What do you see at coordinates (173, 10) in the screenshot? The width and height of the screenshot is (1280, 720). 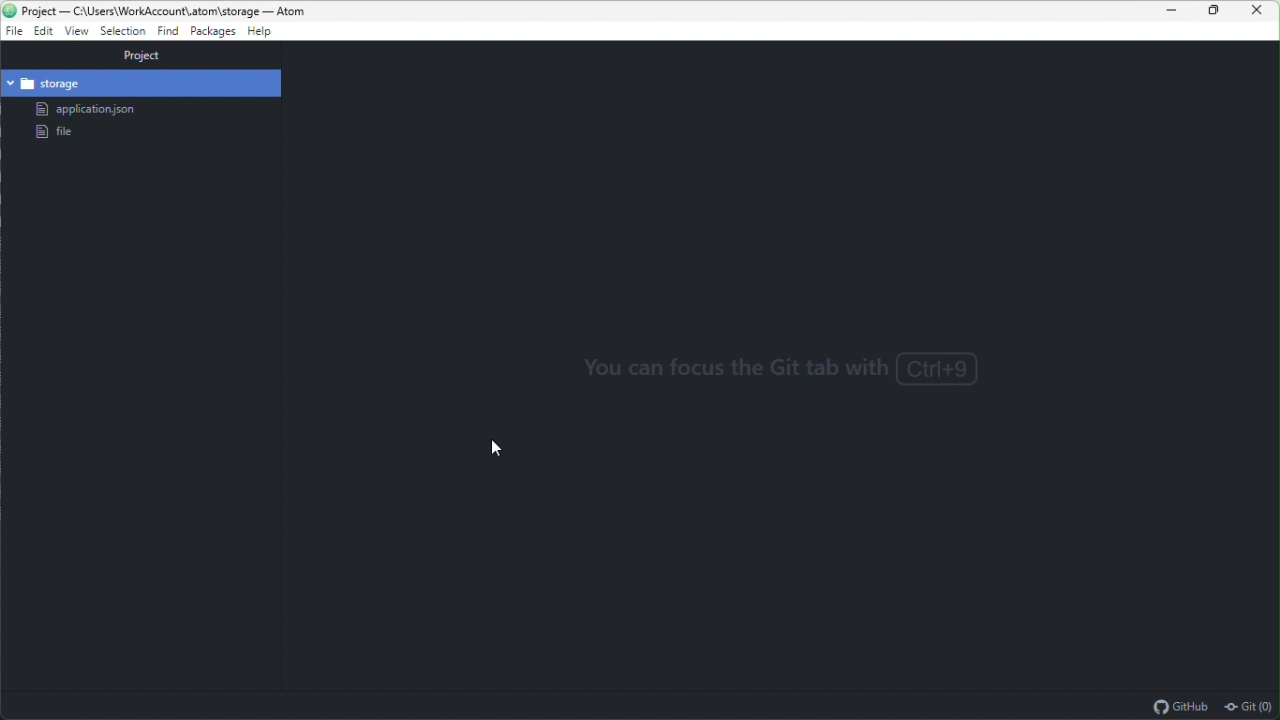 I see `File name and file path` at bounding box center [173, 10].